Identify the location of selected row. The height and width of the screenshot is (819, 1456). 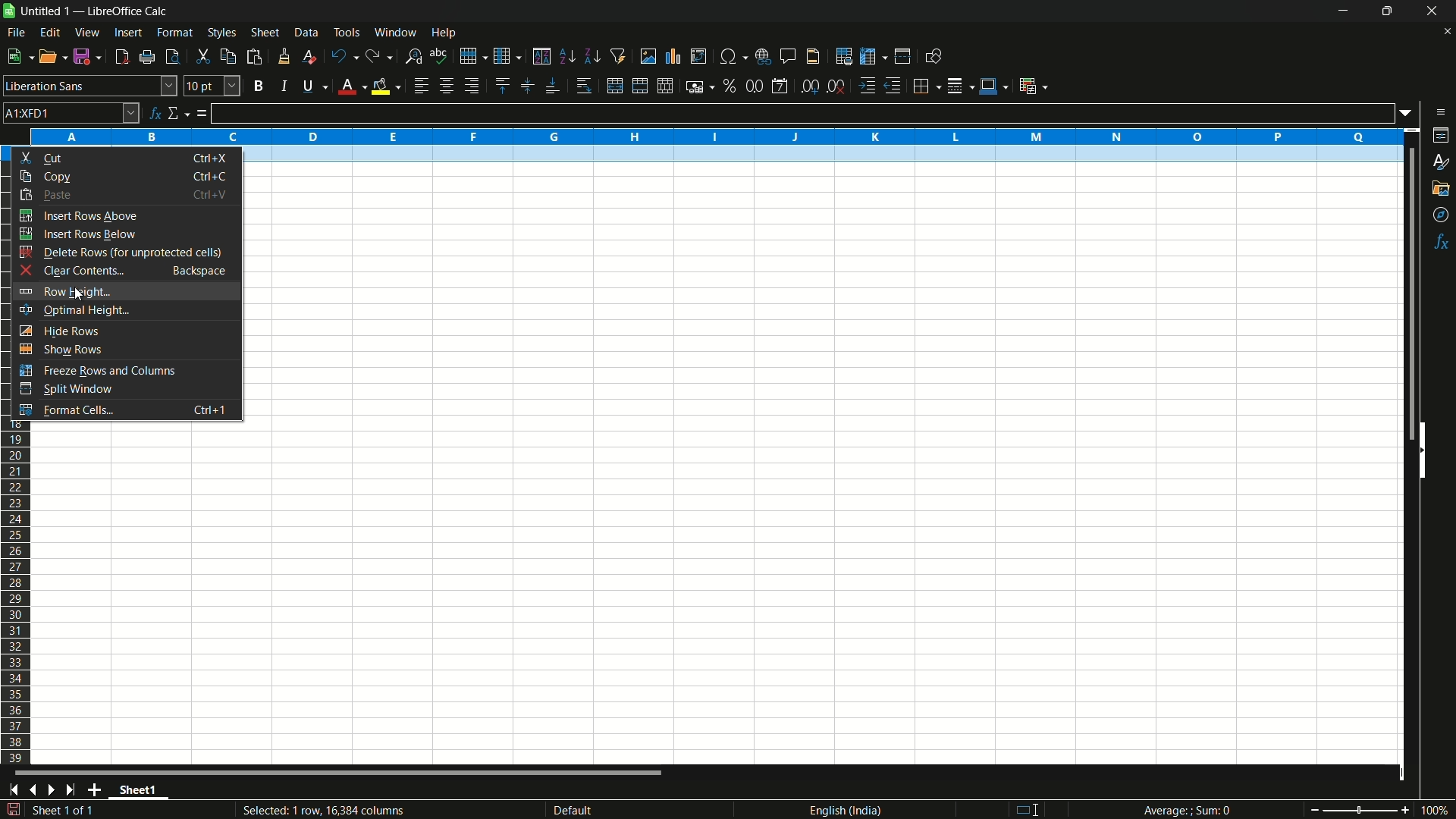
(827, 155).